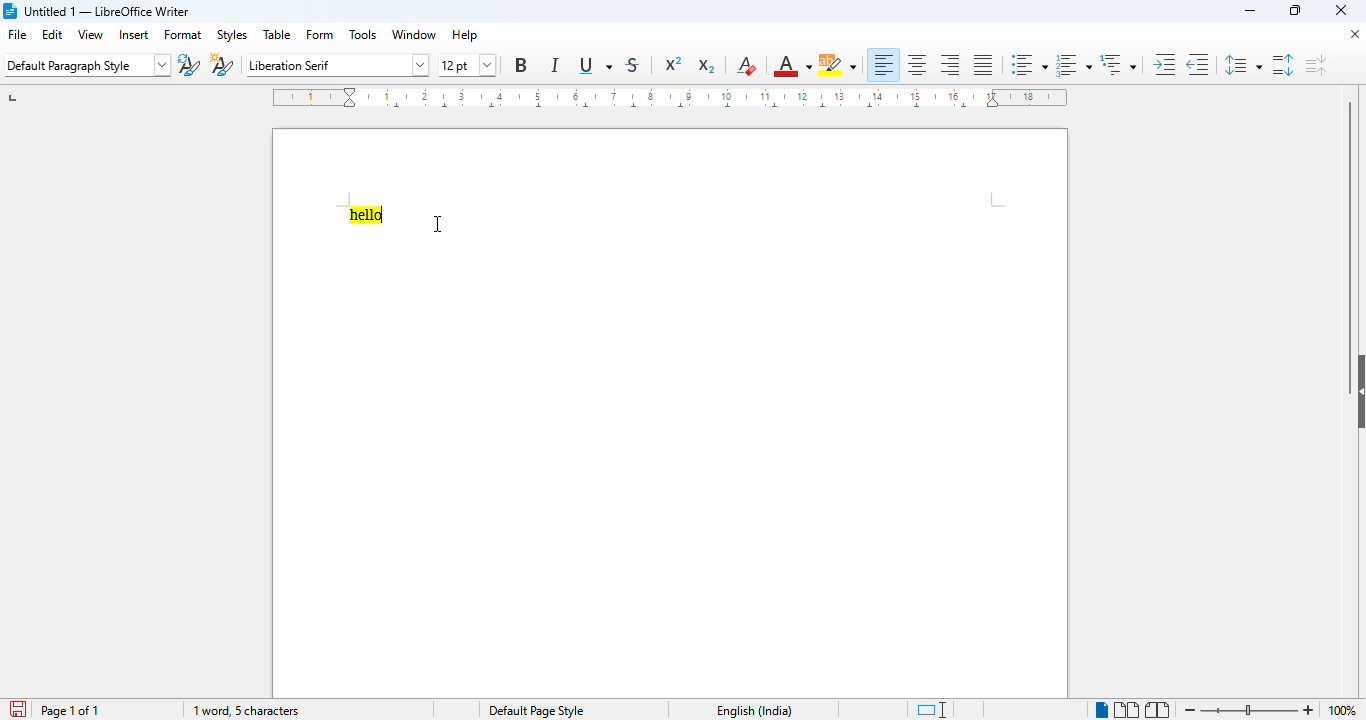 Image resolution: width=1366 pixels, height=720 pixels. What do you see at coordinates (1316, 65) in the screenshot?
I see `decrease paragraph spacing` at bounding box center [1316, 65].